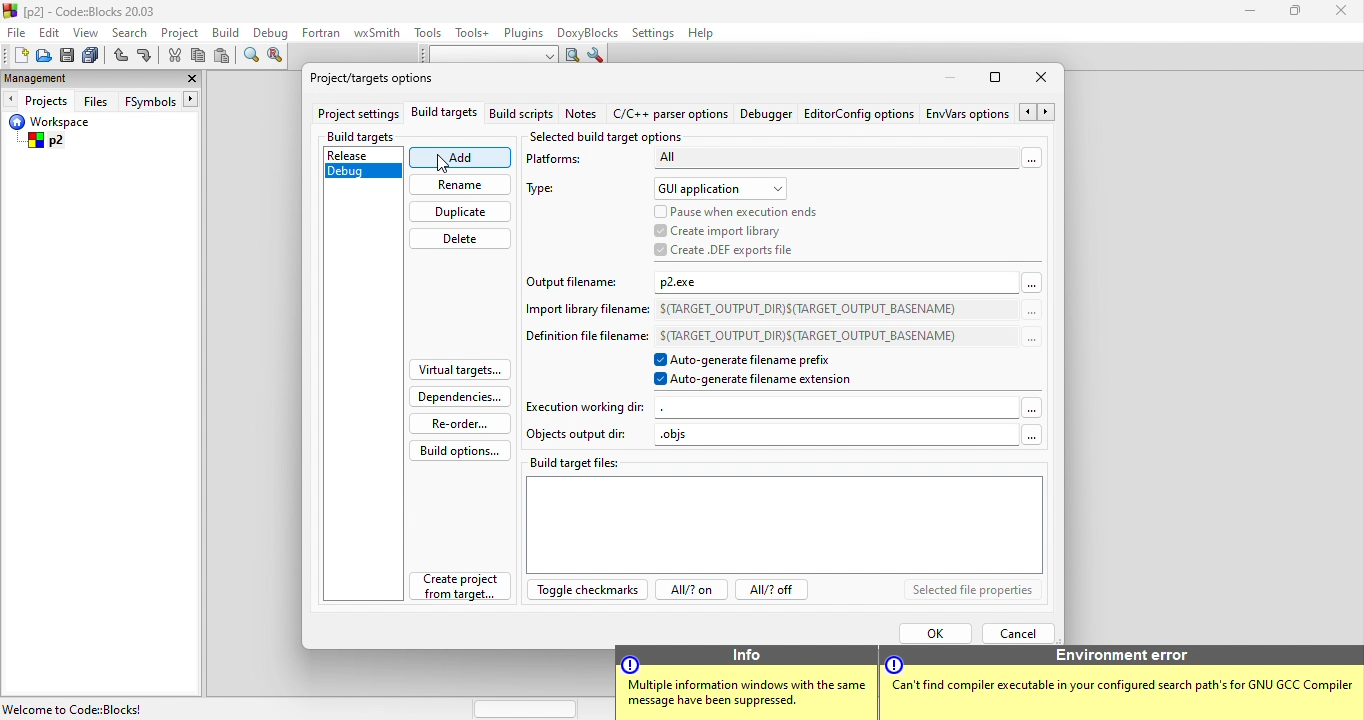 This screenshot has width=1364, height=720. I want to click on horizontal scroll bar, so click(528, 708).